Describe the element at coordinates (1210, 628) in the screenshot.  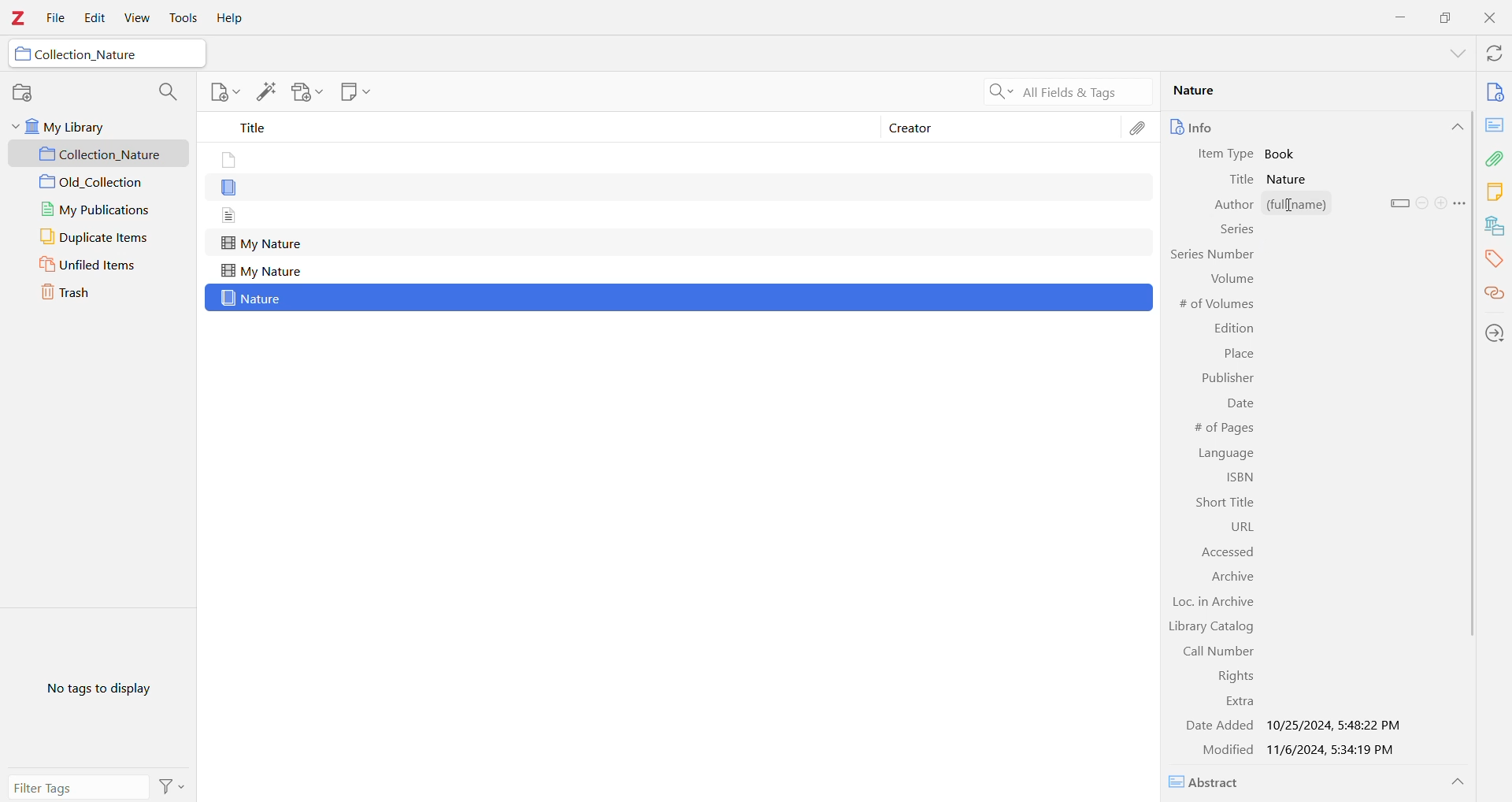
I see `Library Catalog` at that location.